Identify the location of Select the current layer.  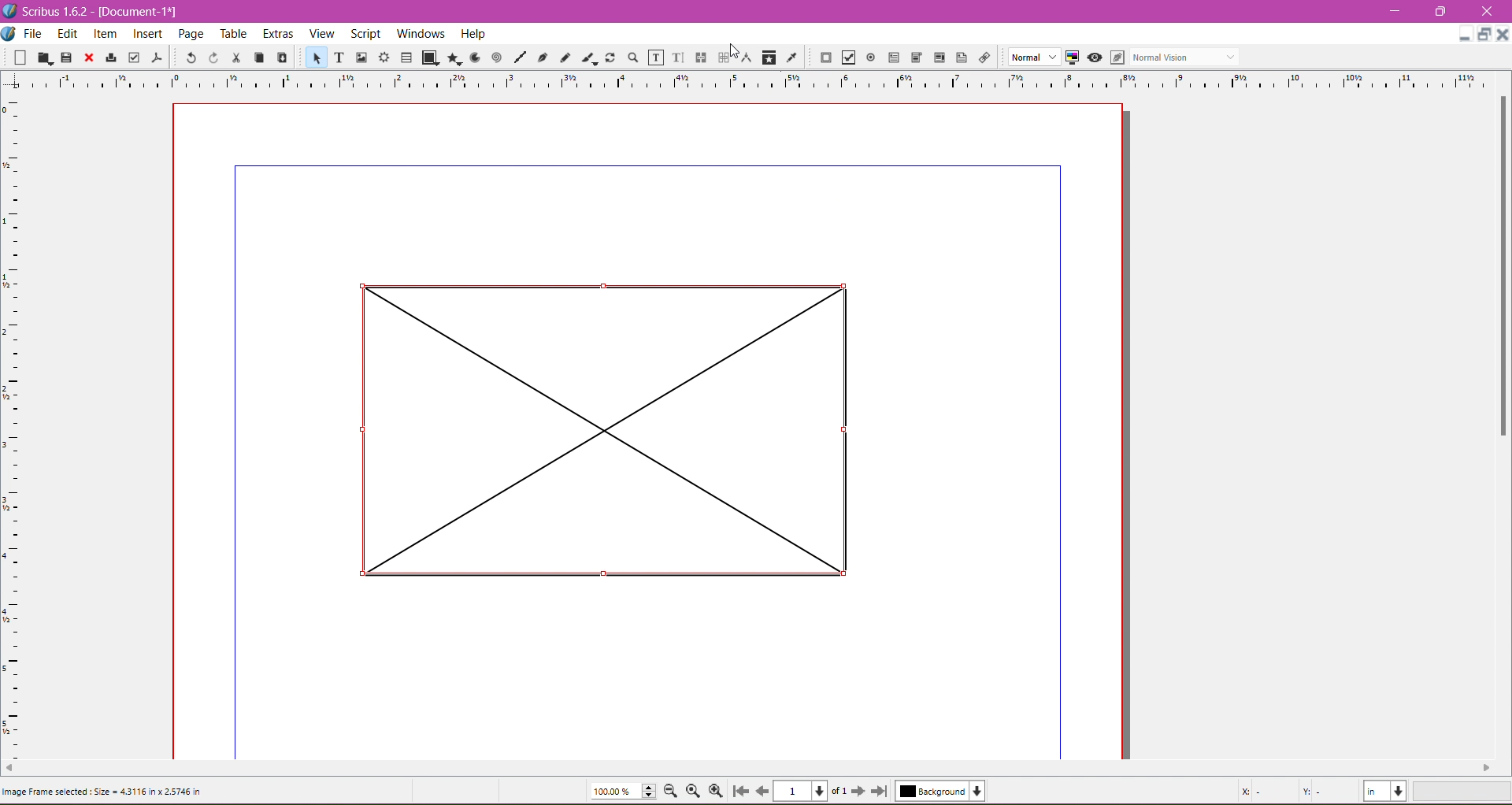
(940, 791).